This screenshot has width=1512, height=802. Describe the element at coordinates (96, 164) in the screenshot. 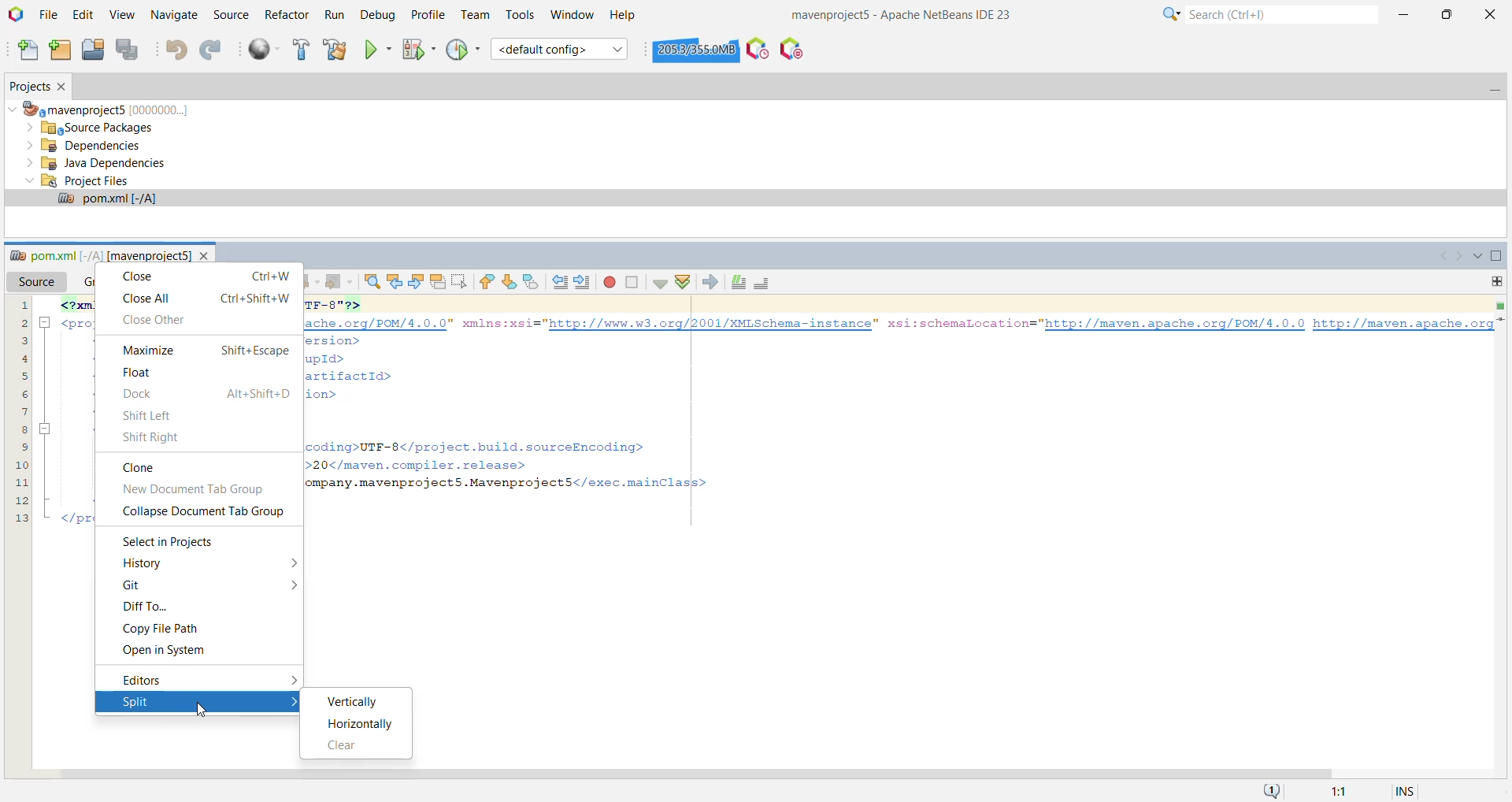

I see `Java Dependencies` at that location.